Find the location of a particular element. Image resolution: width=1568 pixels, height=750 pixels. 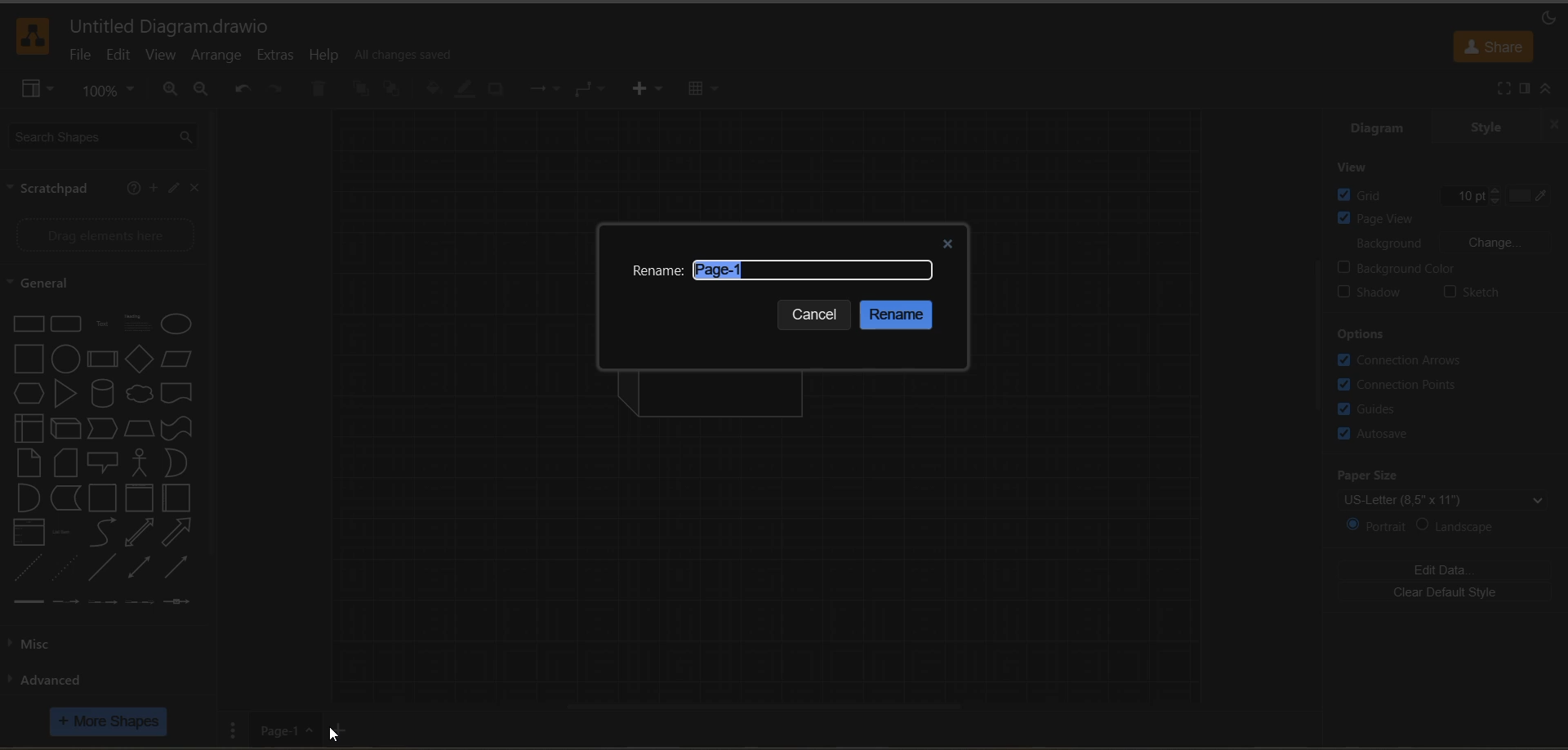

to back is located at coordinates (394, 90).